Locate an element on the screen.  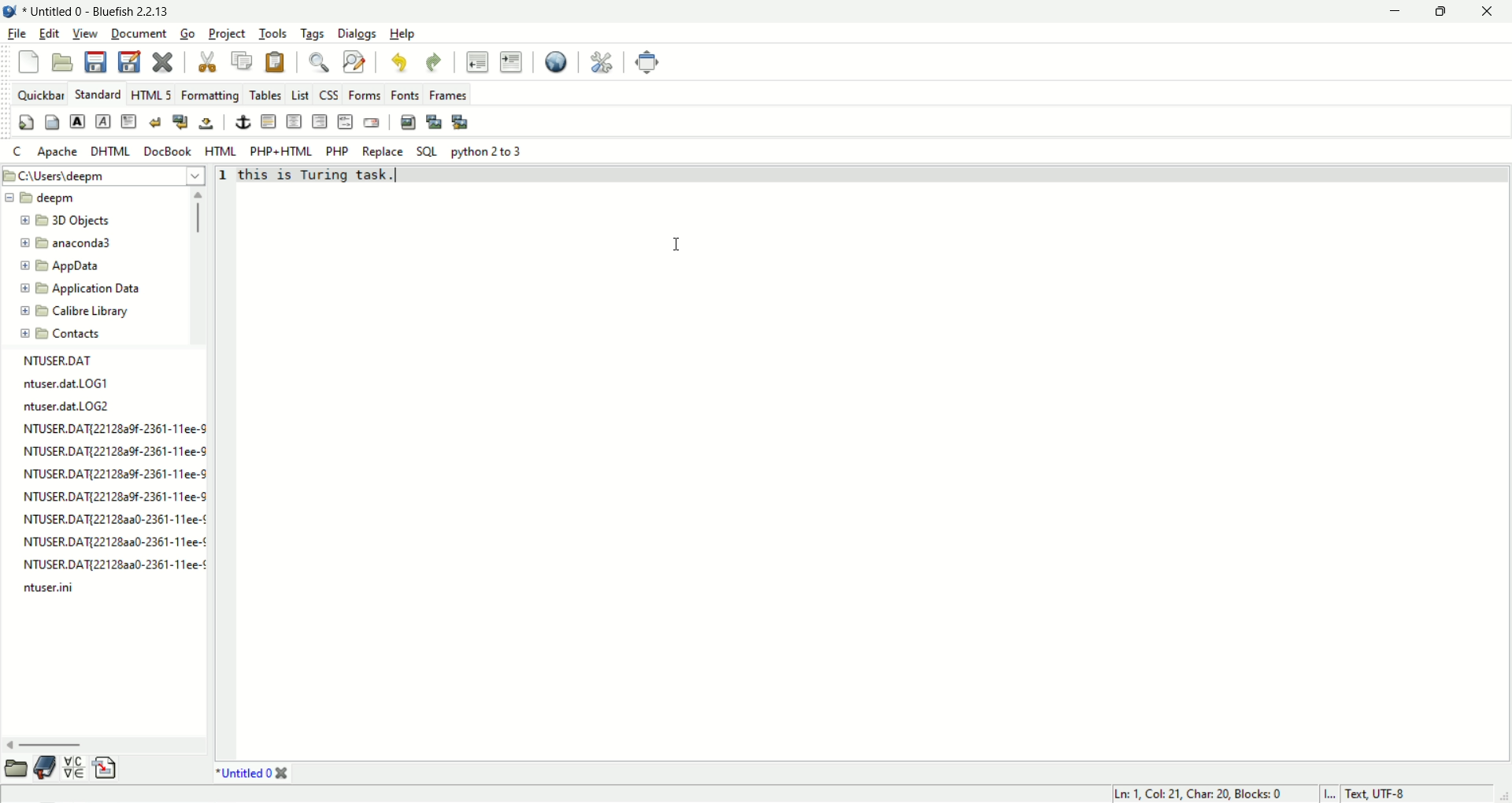
bookmark is located at coordinates (44, 767).